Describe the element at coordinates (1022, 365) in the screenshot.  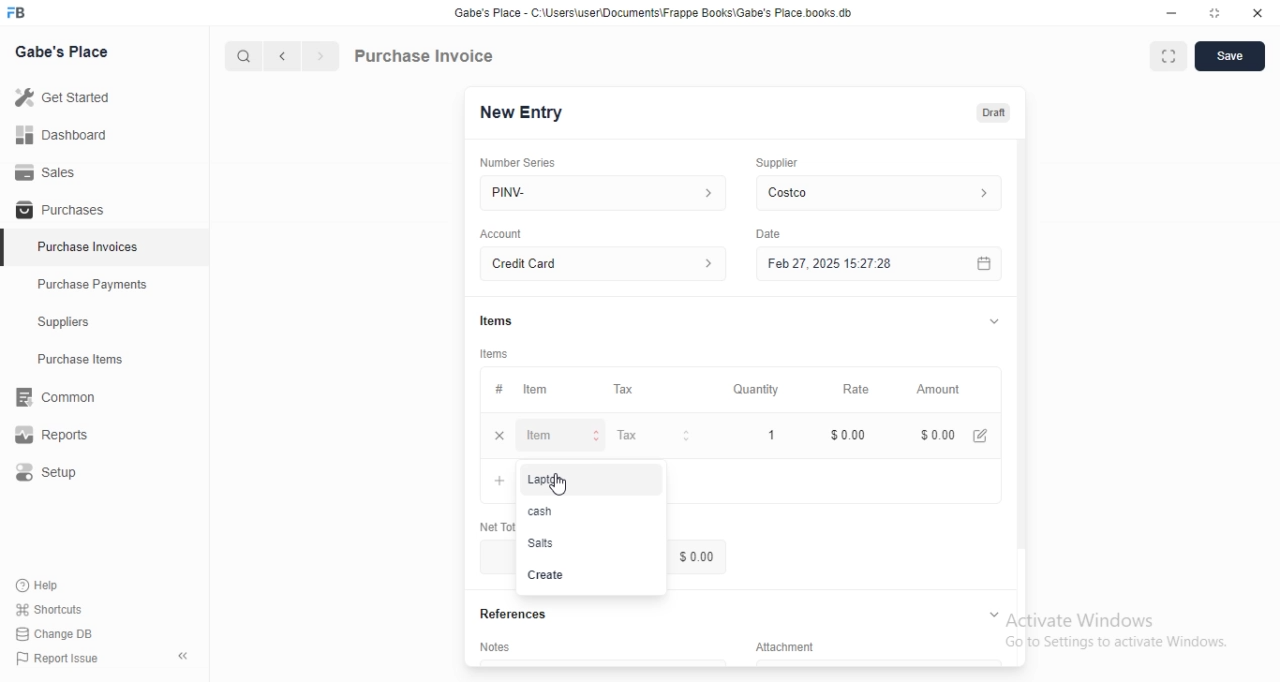
I see `Vertical slide bar` at that location.